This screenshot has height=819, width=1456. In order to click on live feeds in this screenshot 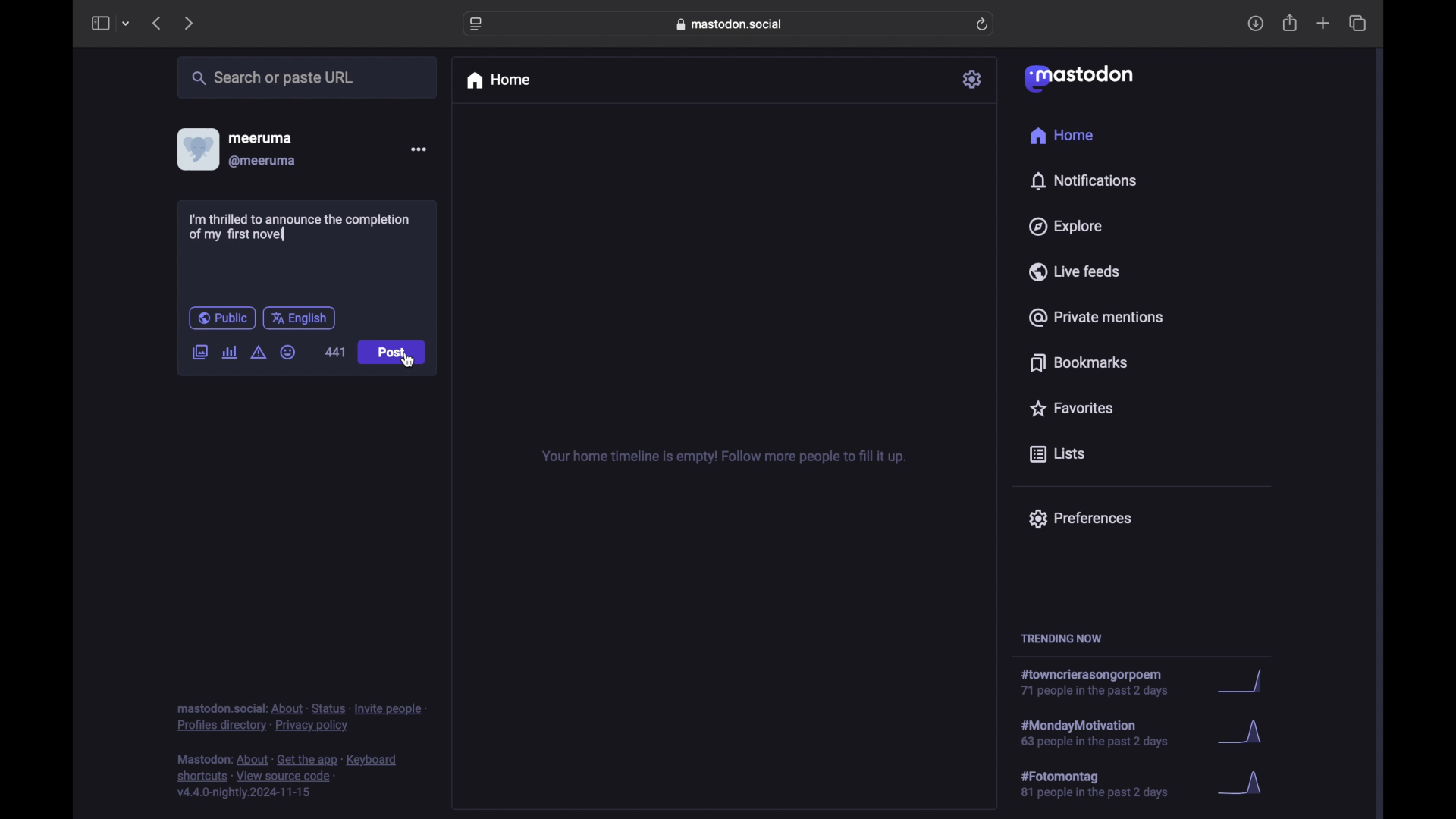, I will do `click(1073, 271)`.